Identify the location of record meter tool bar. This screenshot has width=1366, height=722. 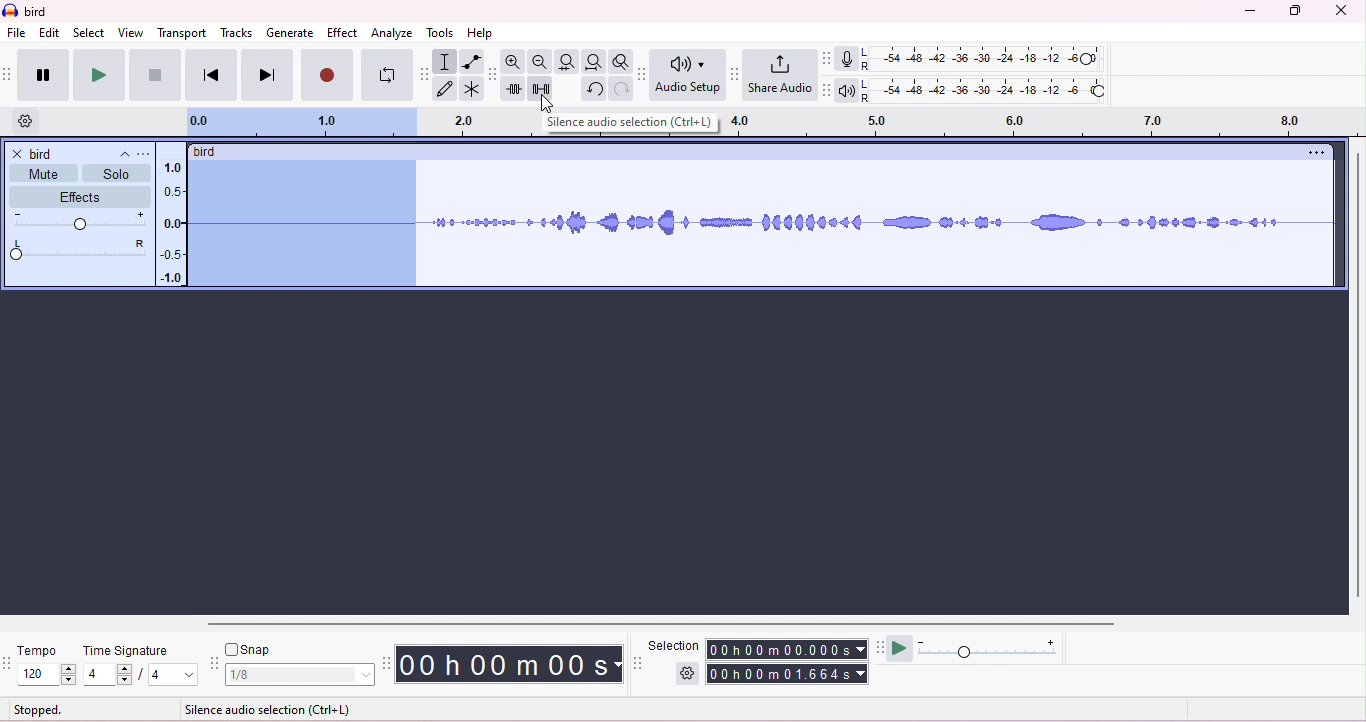
(830, 59).